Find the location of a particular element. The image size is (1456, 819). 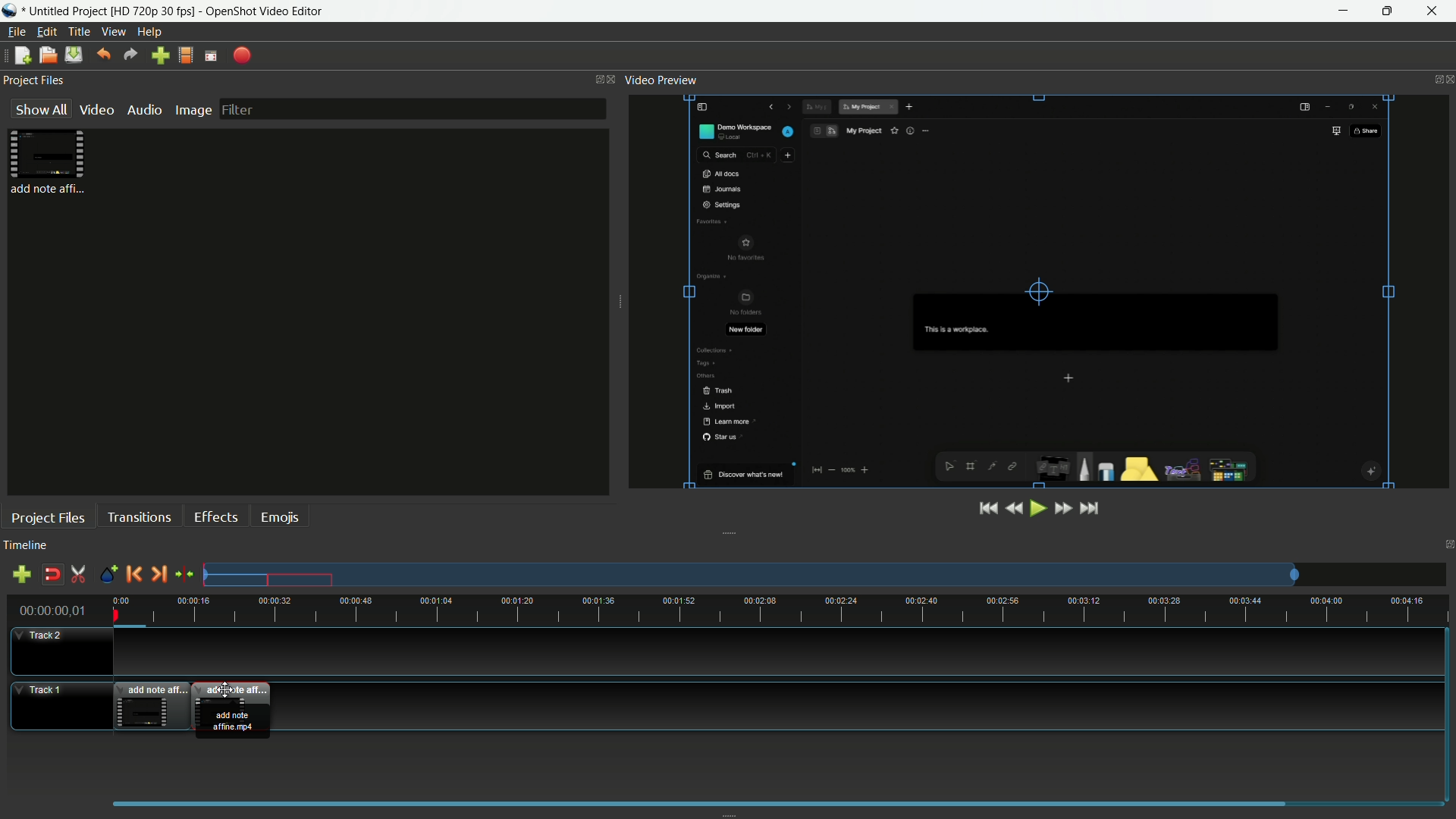

profile is located at coordinates (186, 56).